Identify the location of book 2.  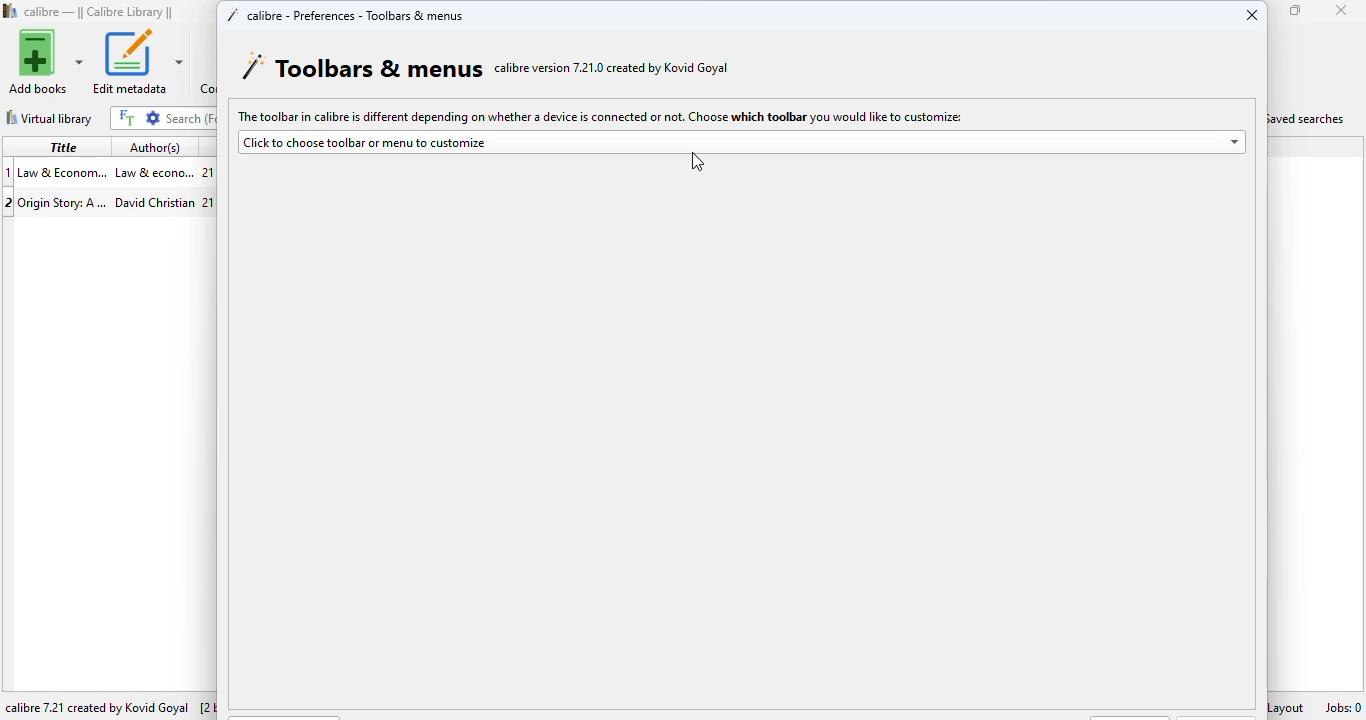
(107, 200).